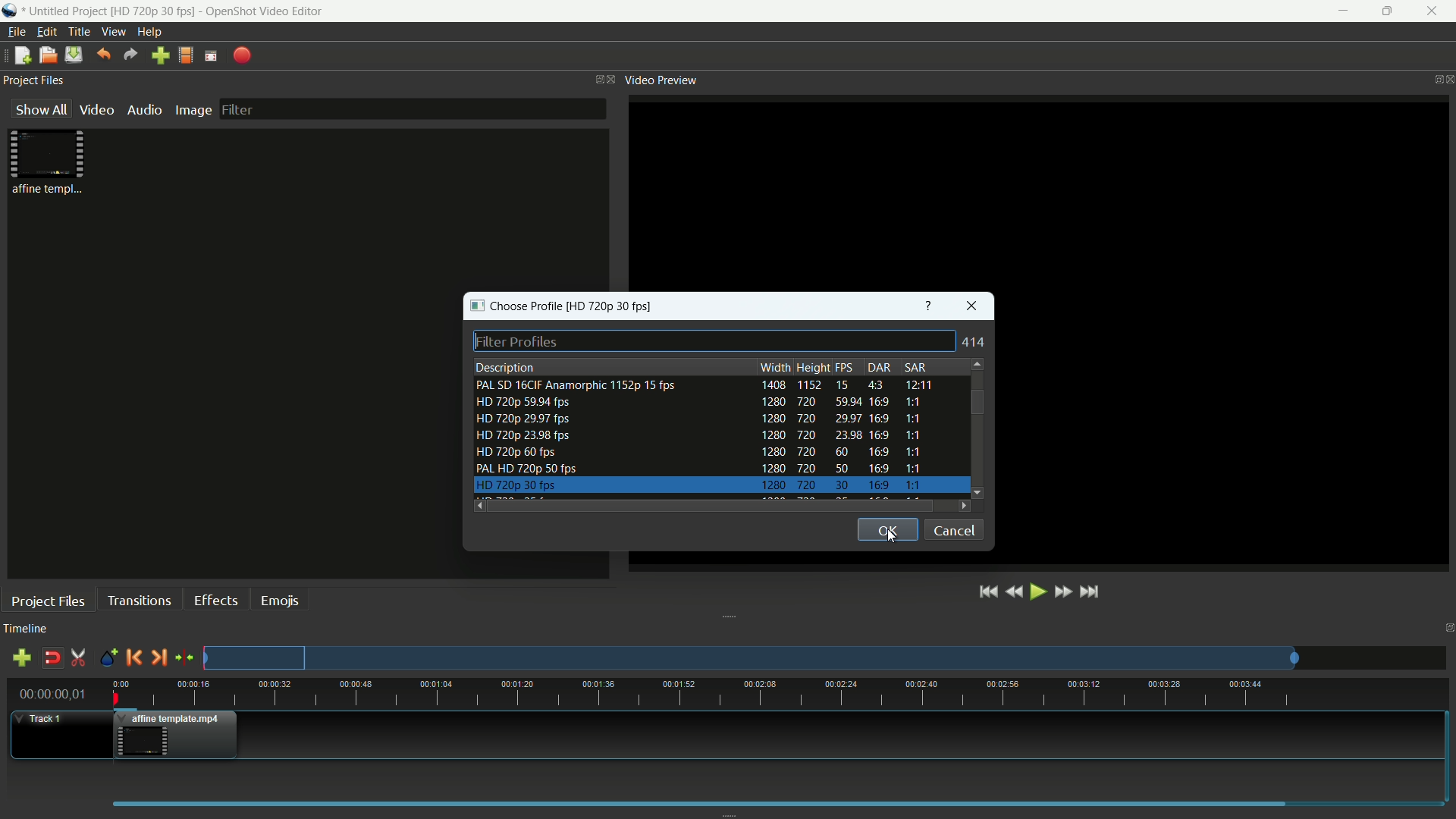 The width and height of the screenshot is (1456, 819). I want to click on profile-5, so click(703, 451).